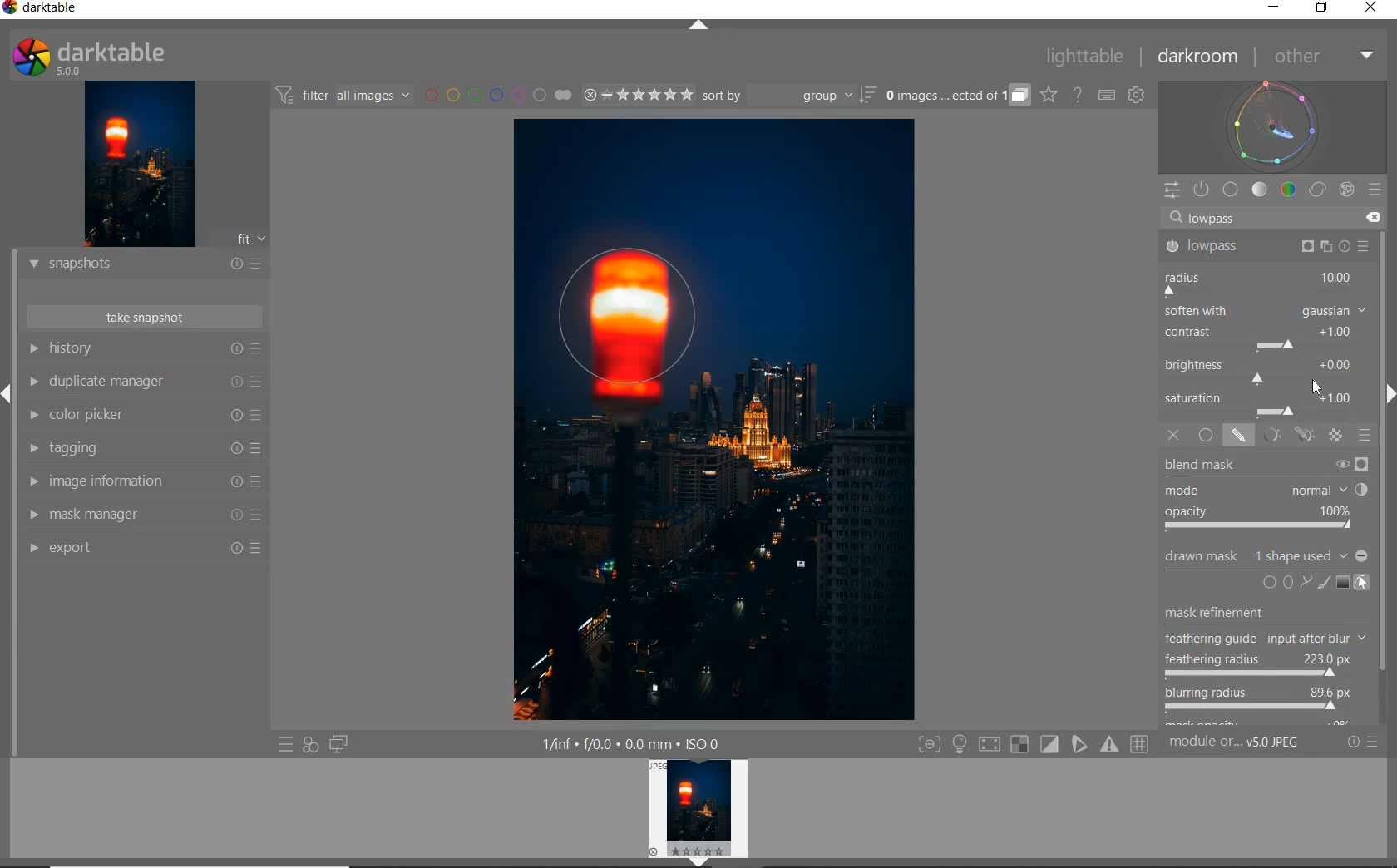  Describe the element at coordinates (1288, 190) in the screenshot. I see `COLOR` at that location.